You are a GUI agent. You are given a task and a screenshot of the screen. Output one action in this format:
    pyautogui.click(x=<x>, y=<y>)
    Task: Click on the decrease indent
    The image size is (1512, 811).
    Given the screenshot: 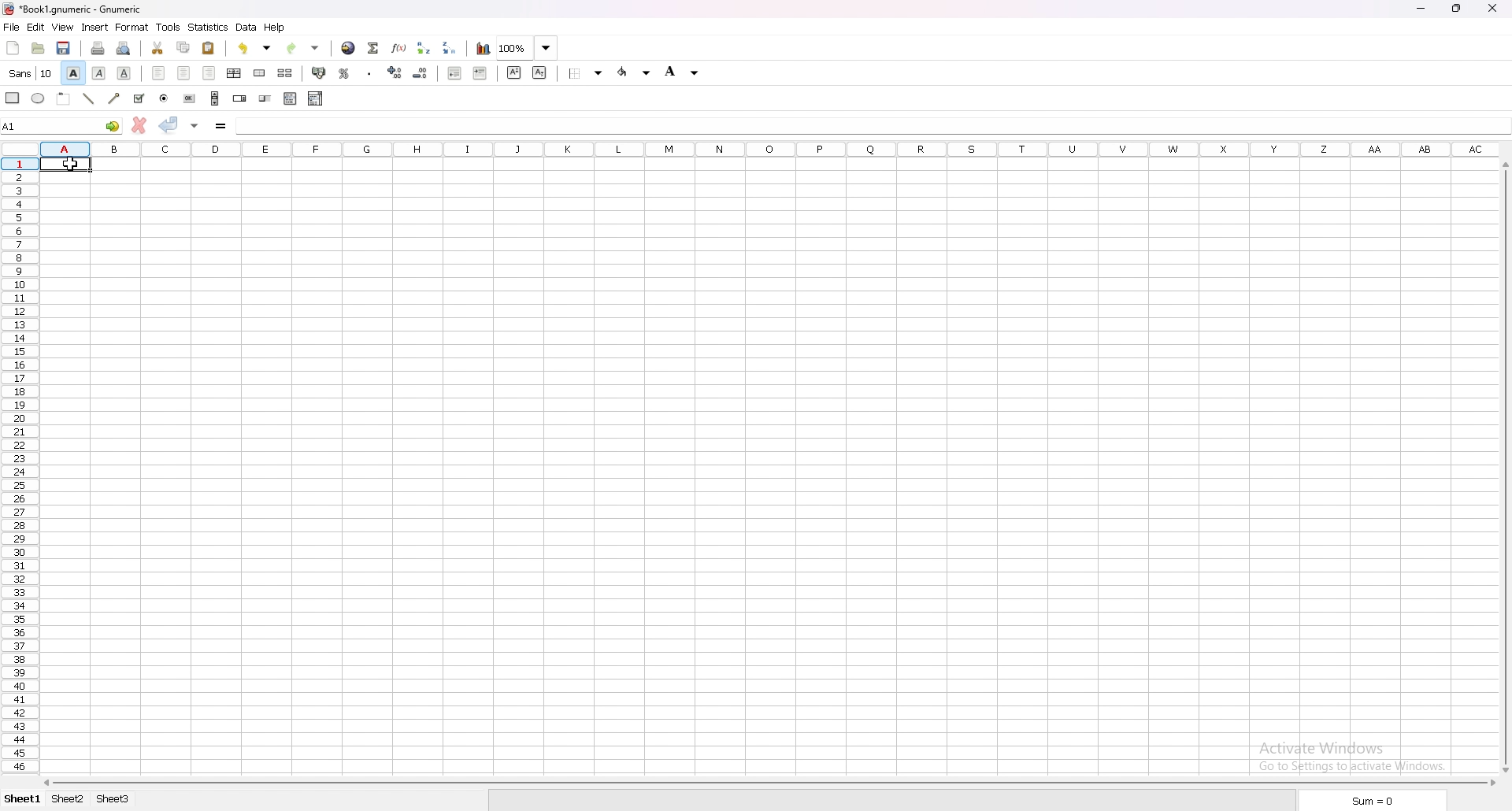 What is the action you would take?
    pyautogui.click(x=455, y=72)
    